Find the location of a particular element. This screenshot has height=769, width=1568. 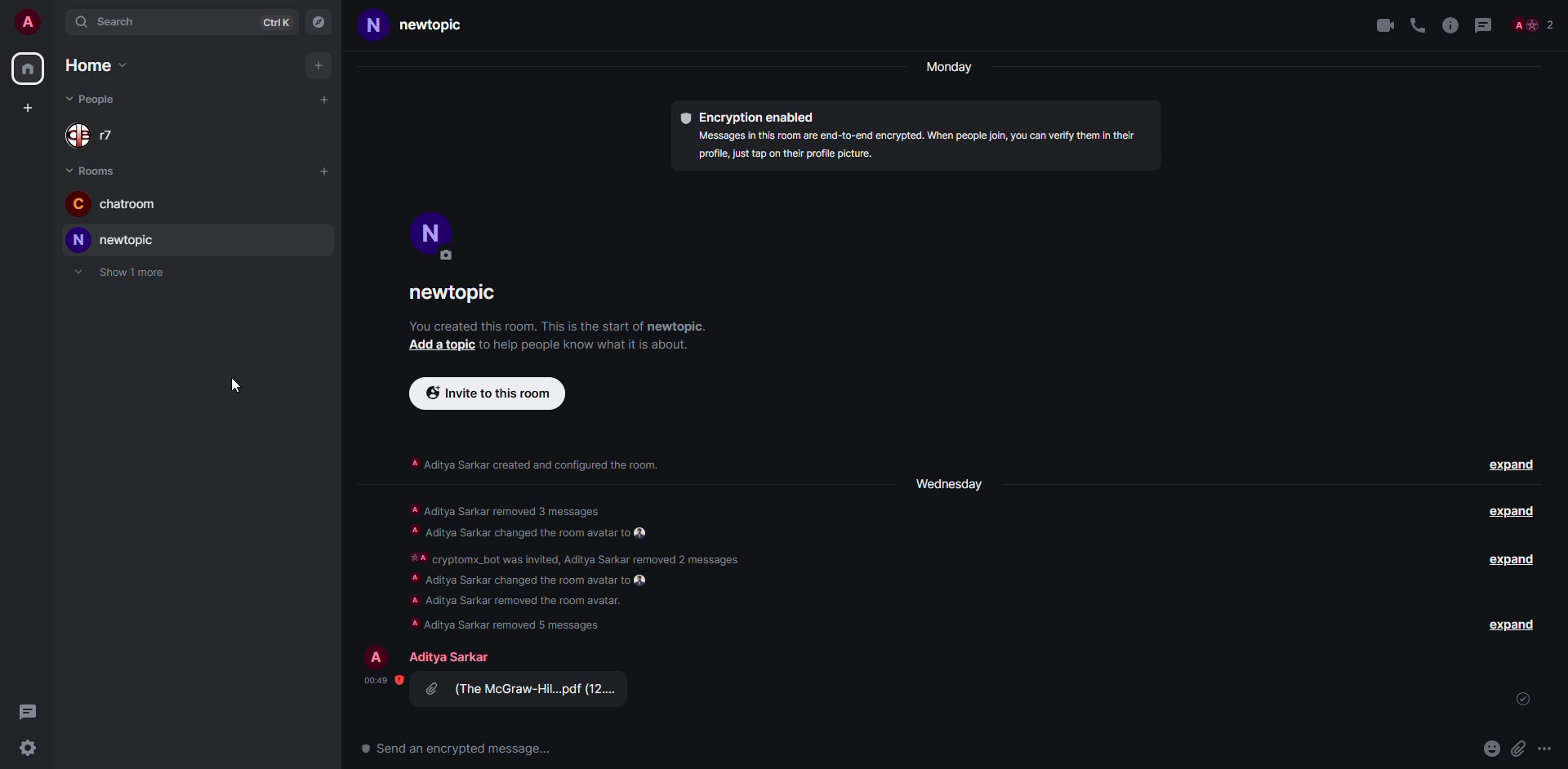

Show 1 more is located at coordinates (137, 271).